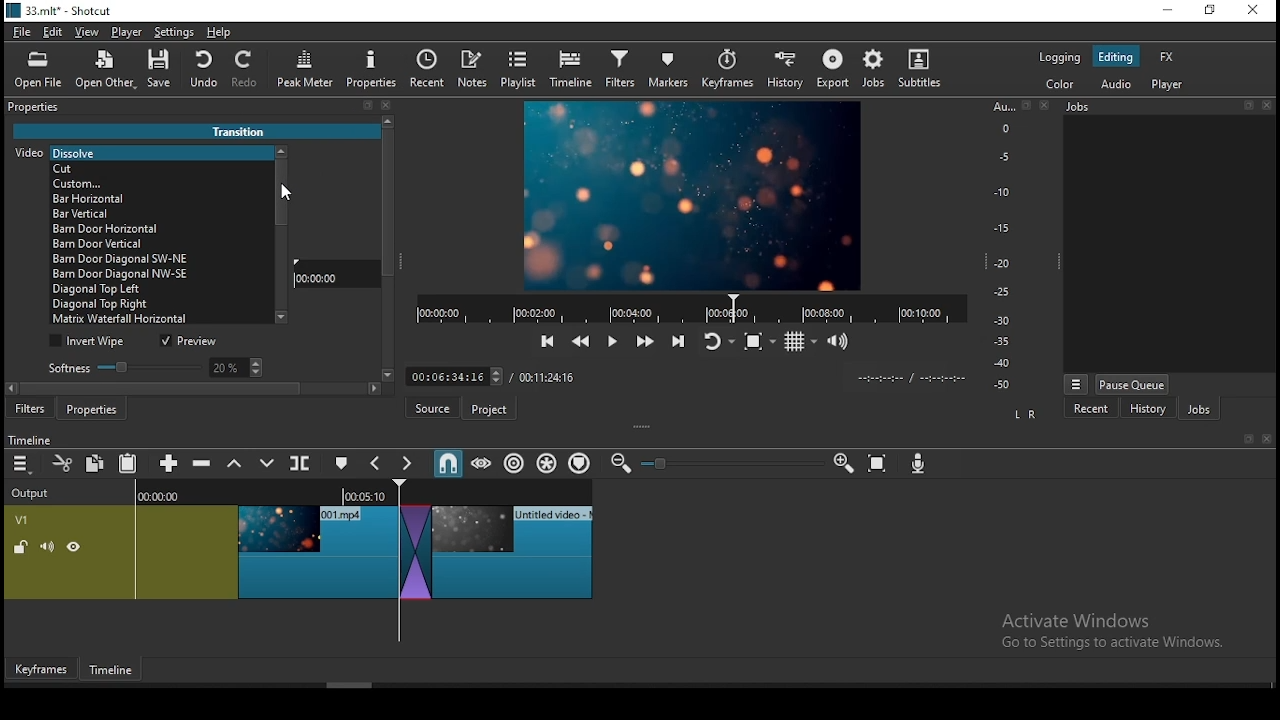 The image size is (1280, 720). I want to click on lift, so click(235, 464).